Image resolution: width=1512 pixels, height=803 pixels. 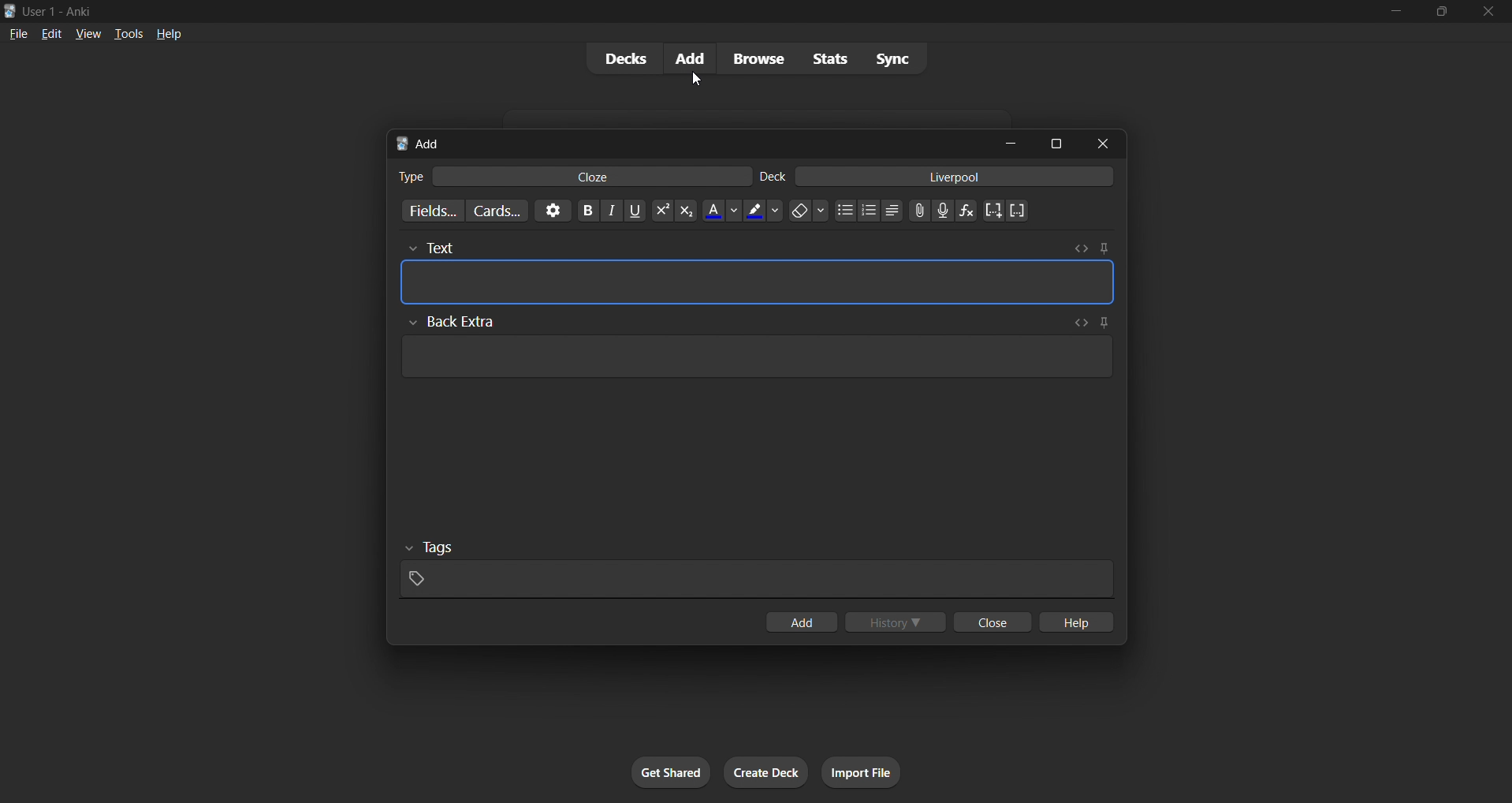 I want to click on toggle sticky, so click(x=1105, y=321).